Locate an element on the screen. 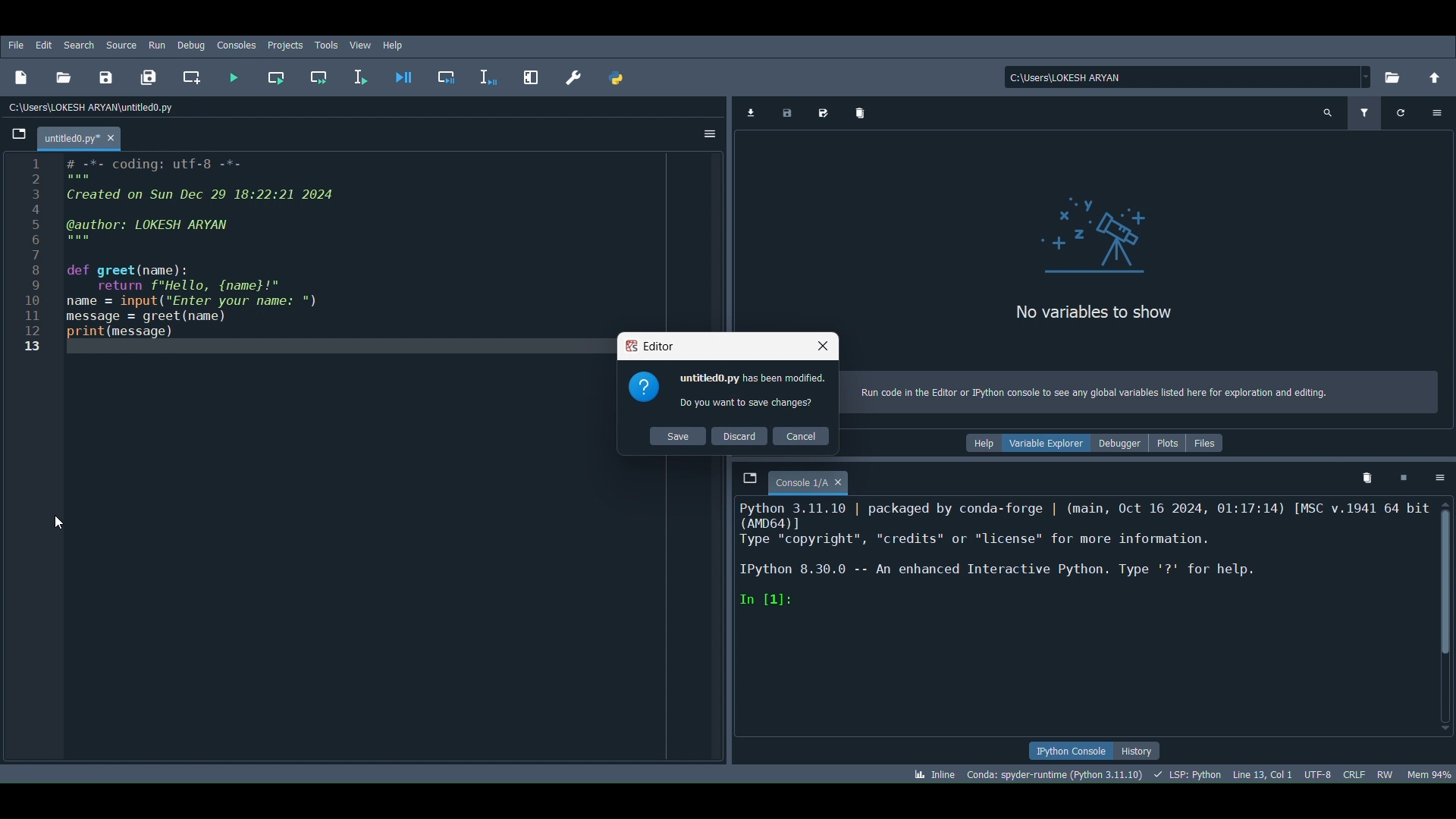 This screenshot has width=1456, height=819. Change to parent directory is located at coordinates (1437, 79).